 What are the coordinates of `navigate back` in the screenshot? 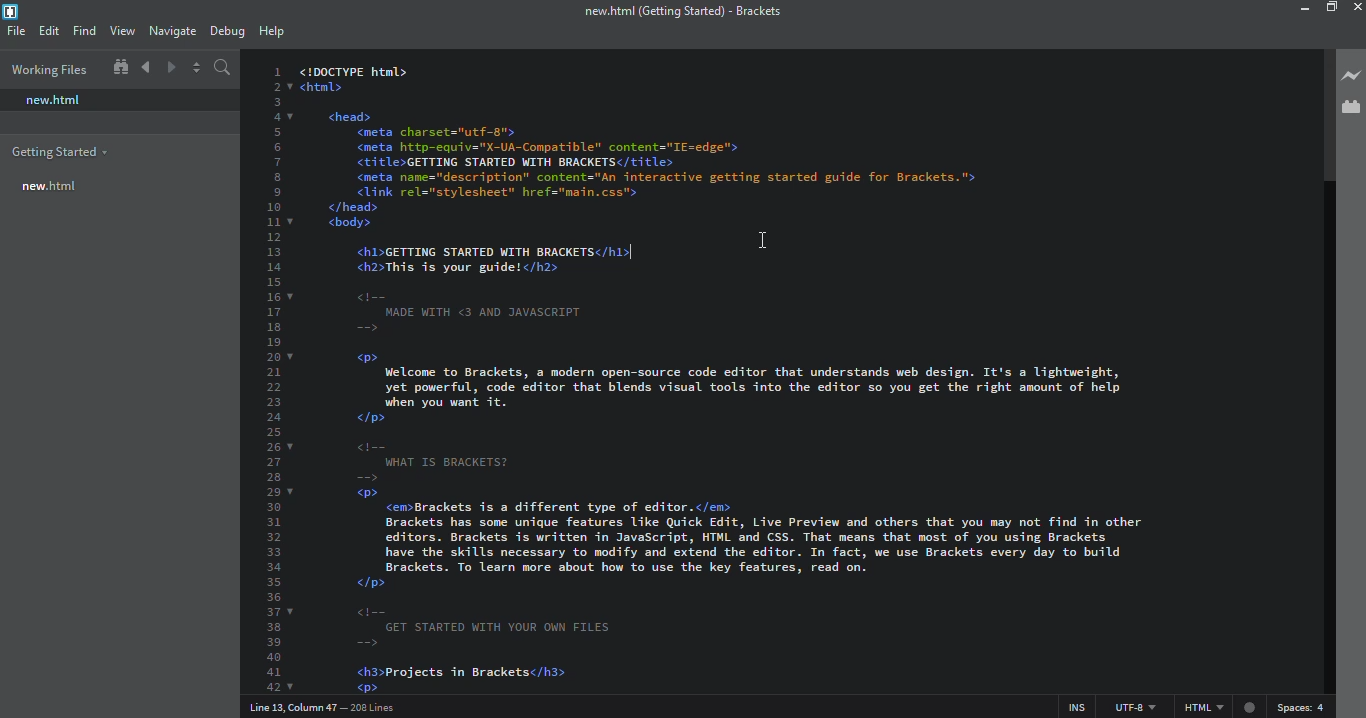 It's located at (147, 68).